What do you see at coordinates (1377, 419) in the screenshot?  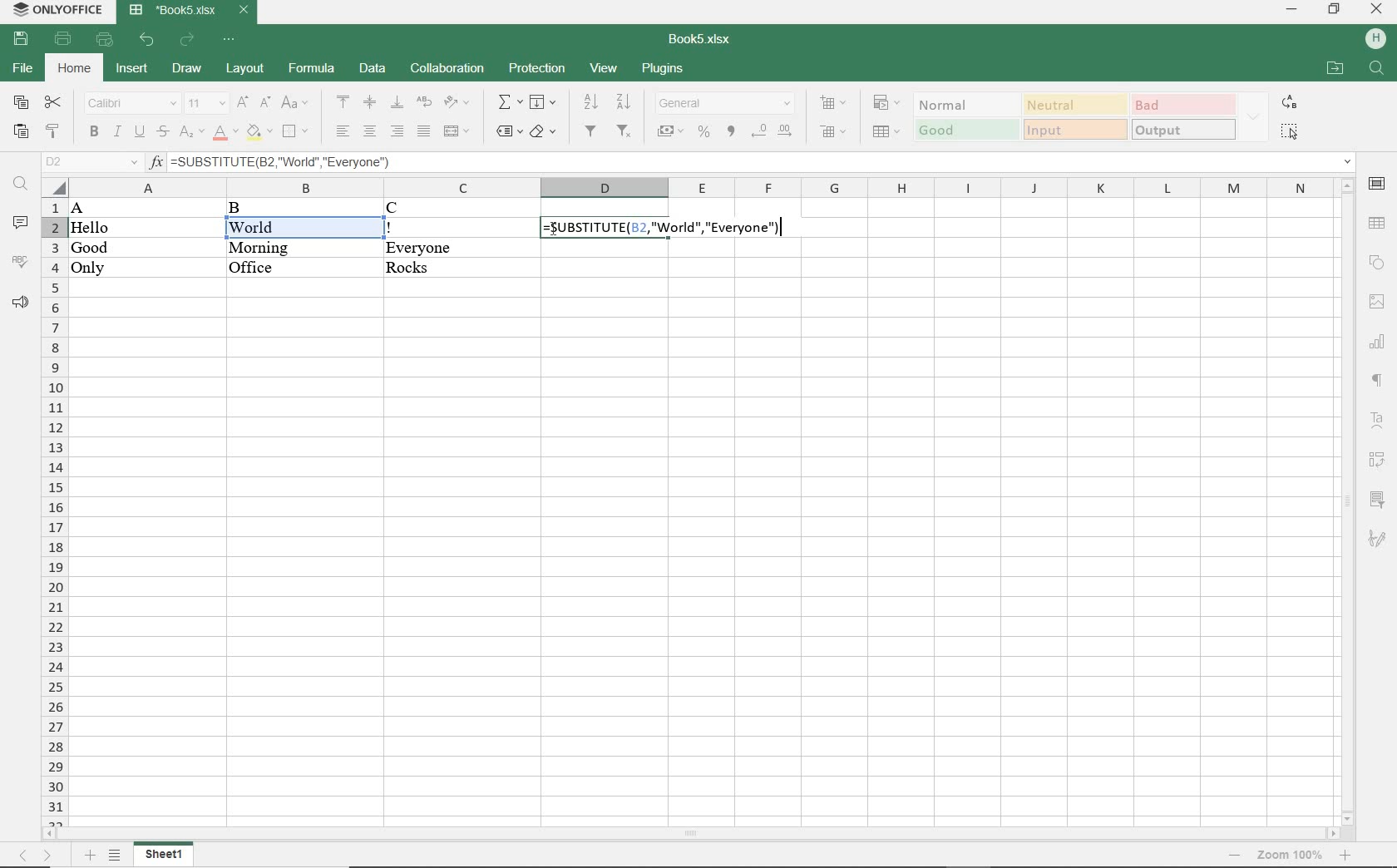 I see `text art` at bounding box center [1377, 419].